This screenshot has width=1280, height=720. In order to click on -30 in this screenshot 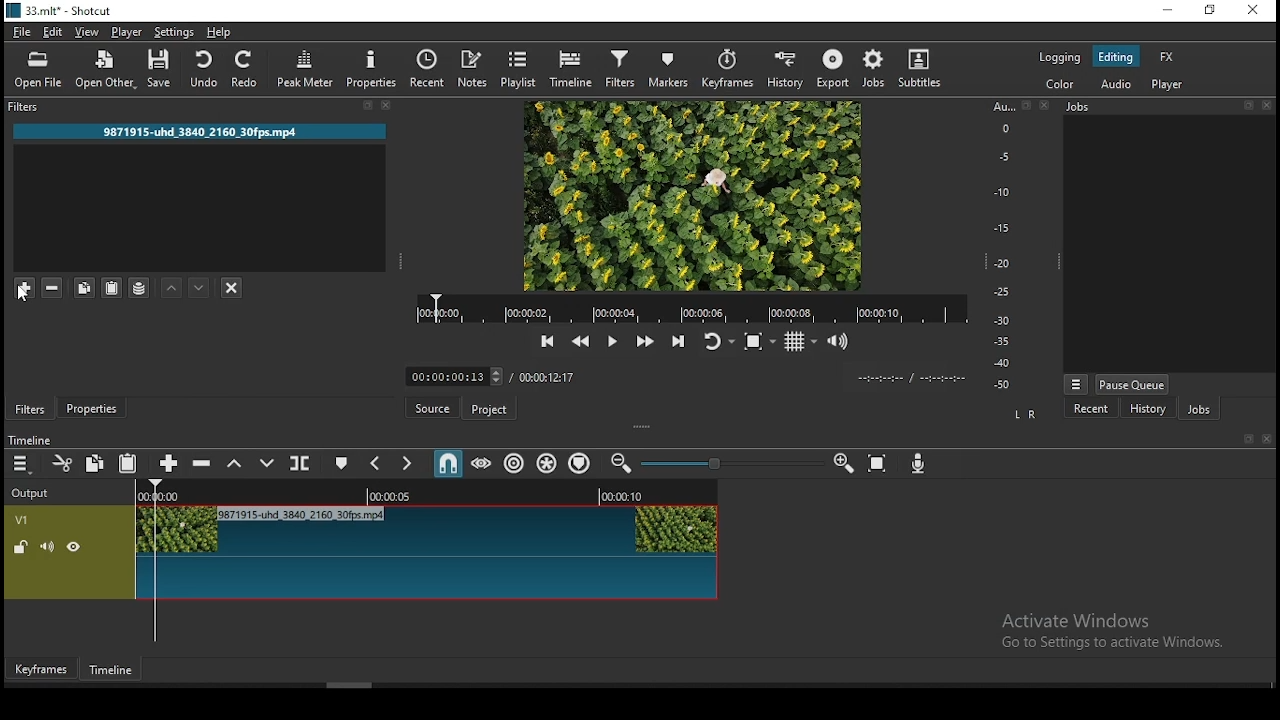, I will do `click(1002, 319)`.